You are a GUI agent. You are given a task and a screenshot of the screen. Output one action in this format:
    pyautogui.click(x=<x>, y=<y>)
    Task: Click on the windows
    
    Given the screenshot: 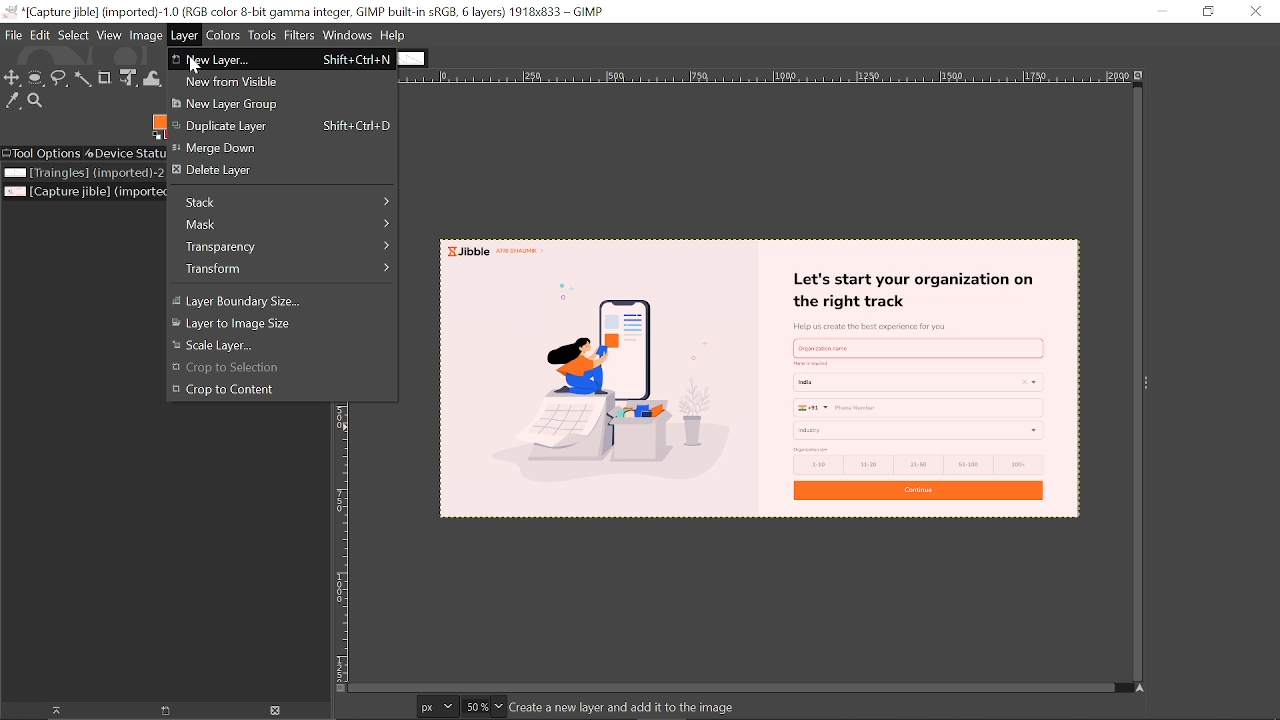 What is the action you would take?
    pyautogui.click(x=347, y=35)
    